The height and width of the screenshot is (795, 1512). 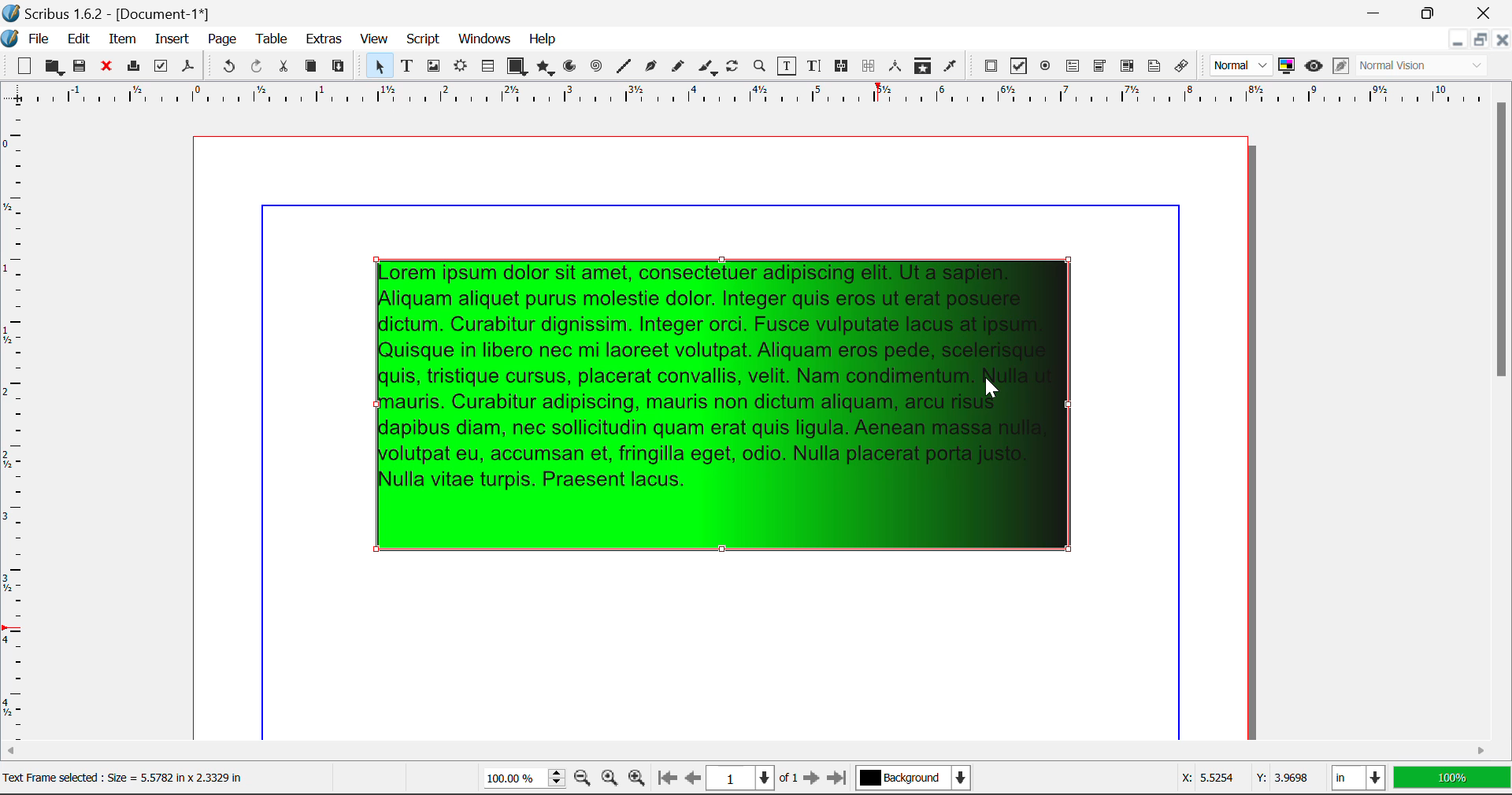 What do you see at coordinates (483, 39) in the screenshot?
I see `Windows` at bounding box center [483, 39].